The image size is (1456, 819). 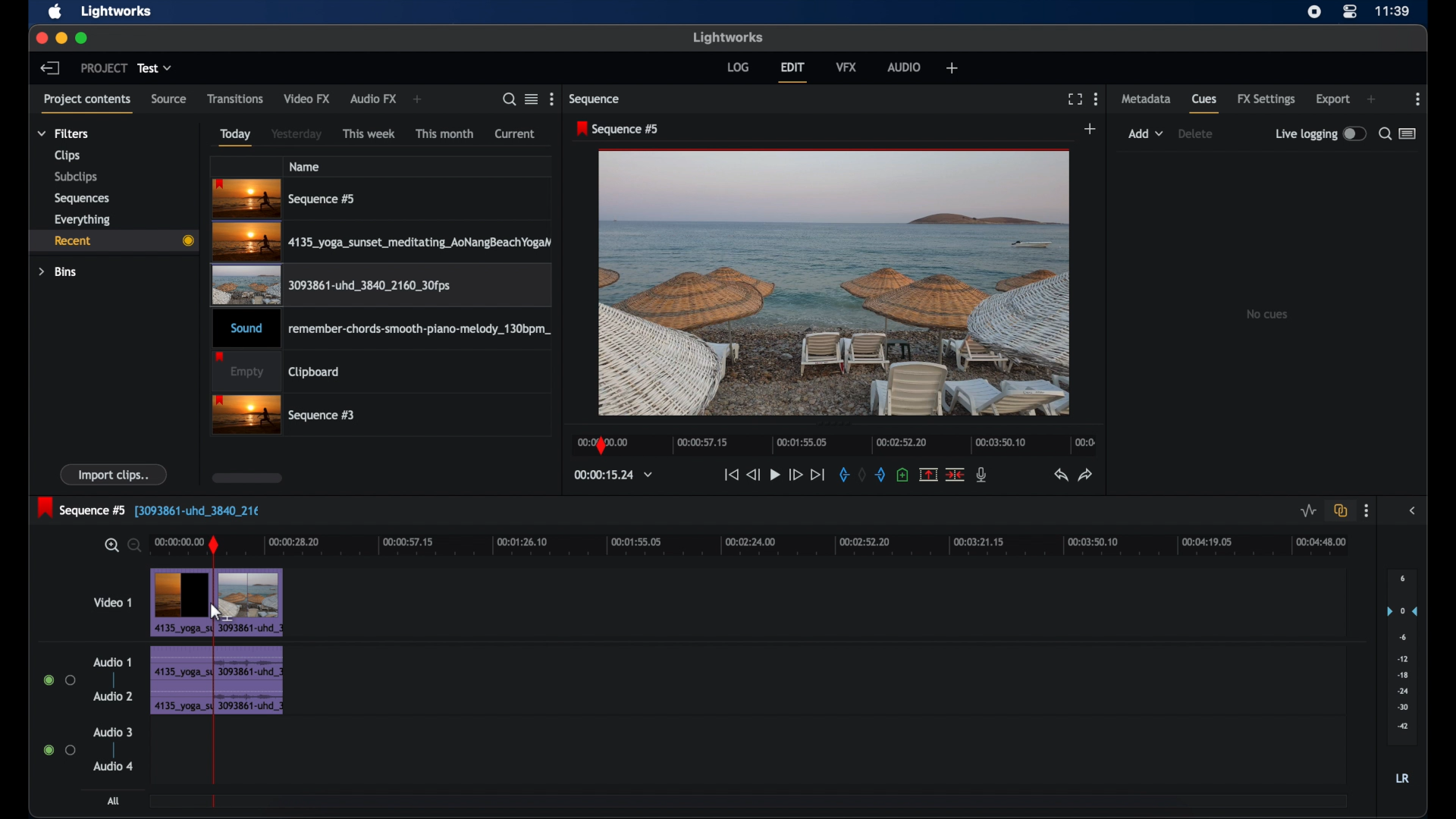 I want to click on jump to end, so click(x=818, y=475).